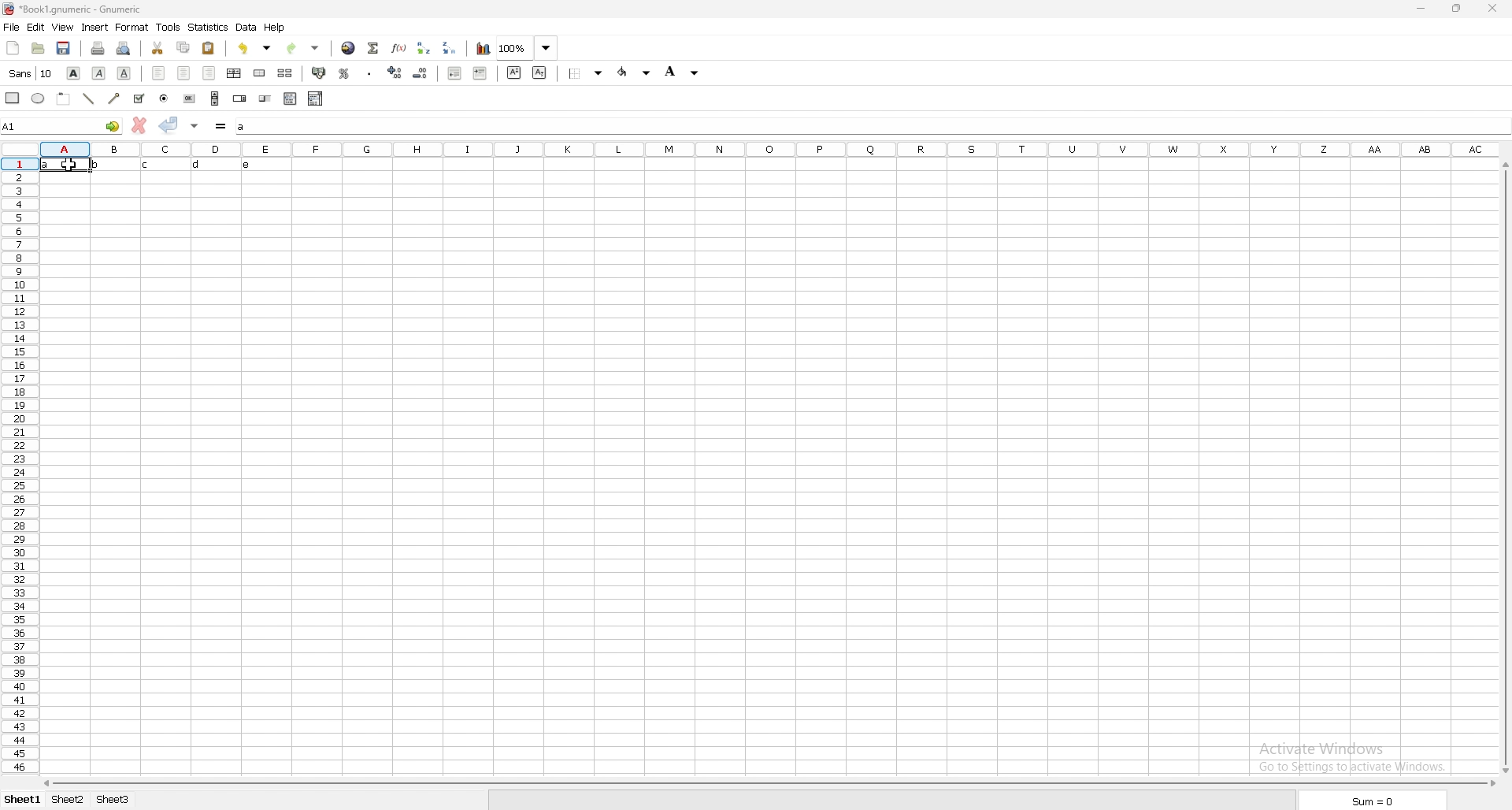 The height and width of the screenshot is (810, 1512). What do you see at coordinates (169, 124) in the screenshot?
I see `accept change` at bounding box center [169, 124].